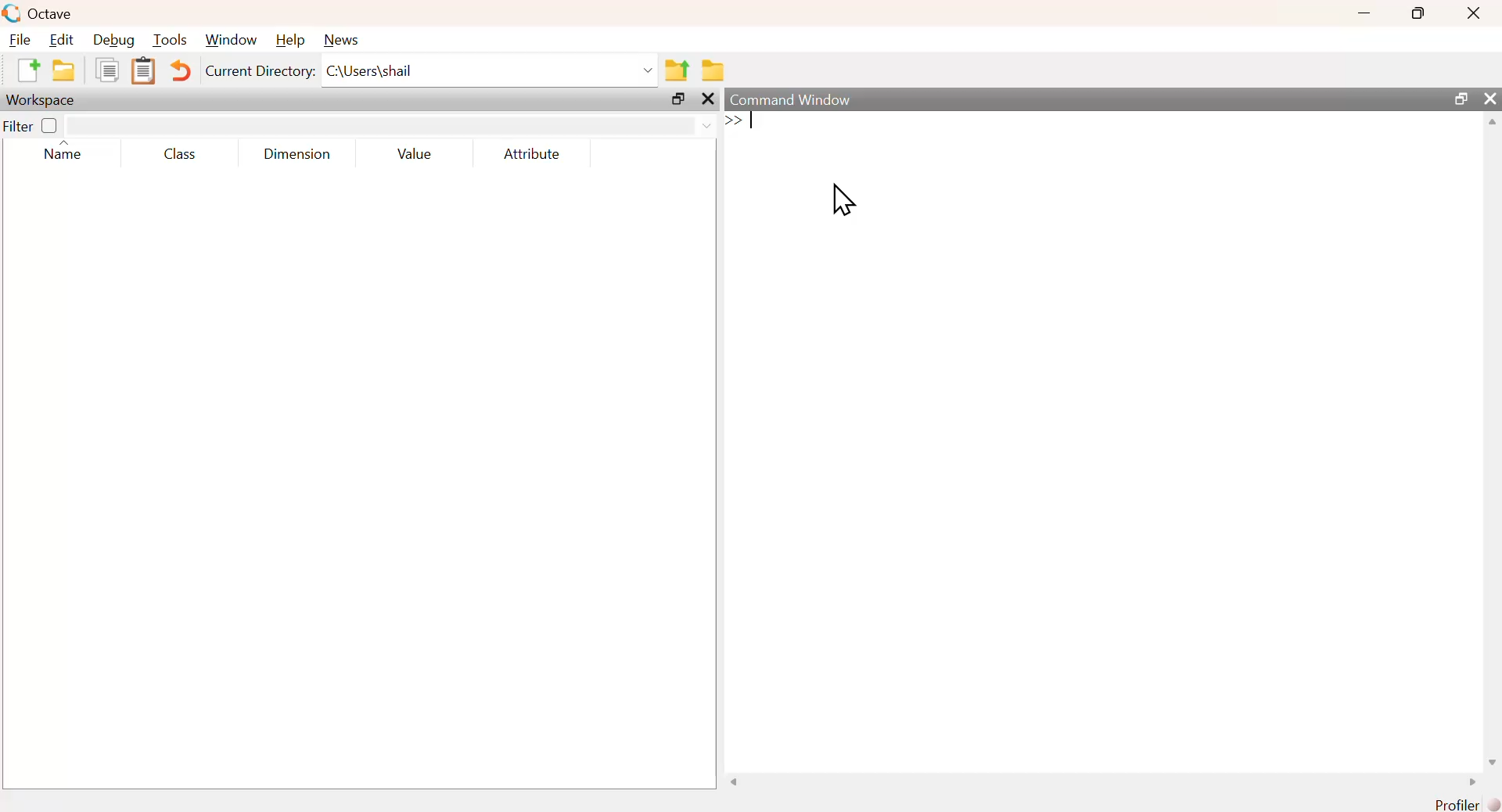 The width and height of the screenshot is (1502, 812). Describe the element at coordinates (296, 156) in the screenshot. I see `dimension` at that location.